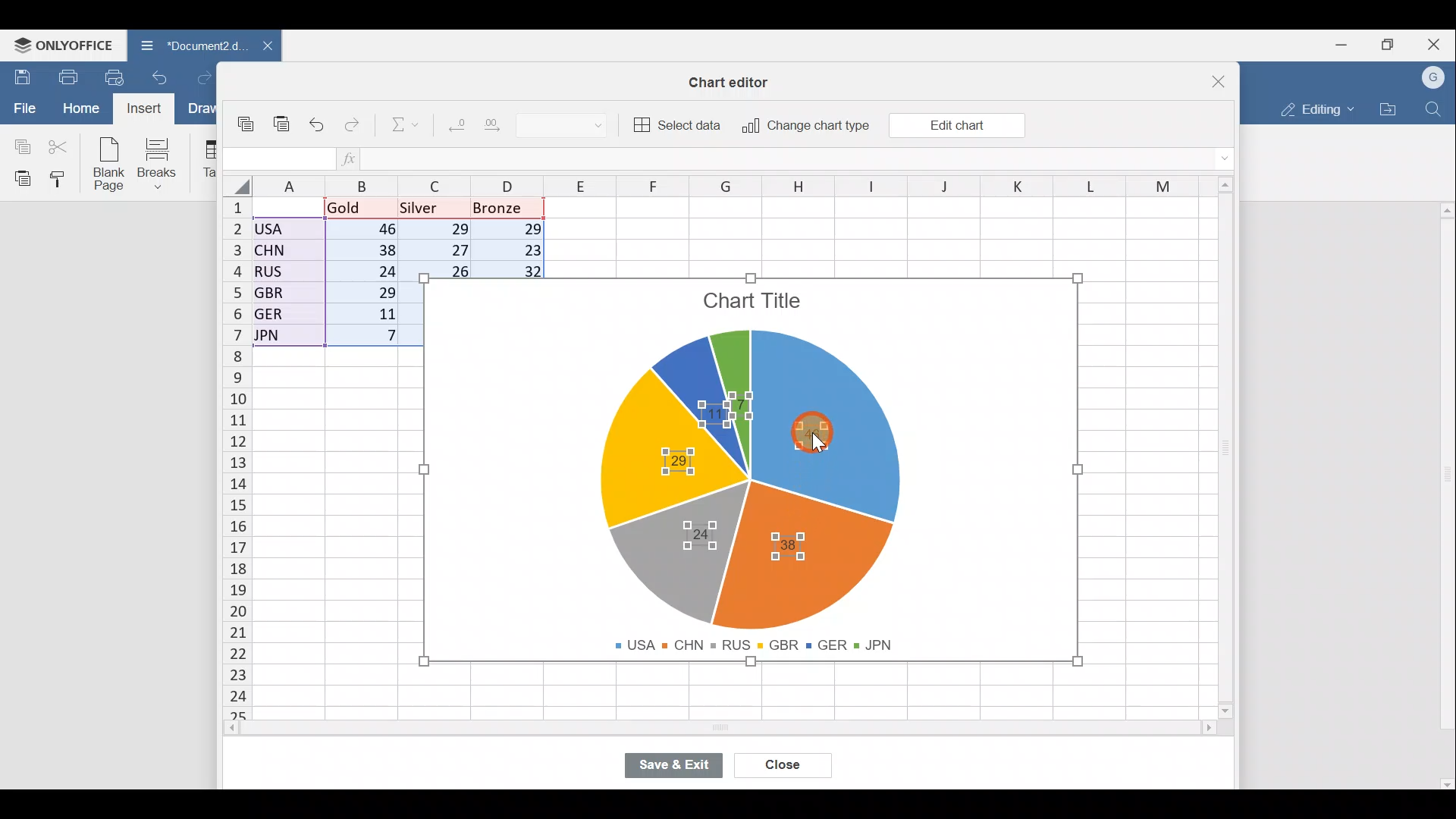 The height and width of the screenshot is (819, 1456). Describe the element at coordinates (249, 126) in the screenshot. I see `Copy` at that location.